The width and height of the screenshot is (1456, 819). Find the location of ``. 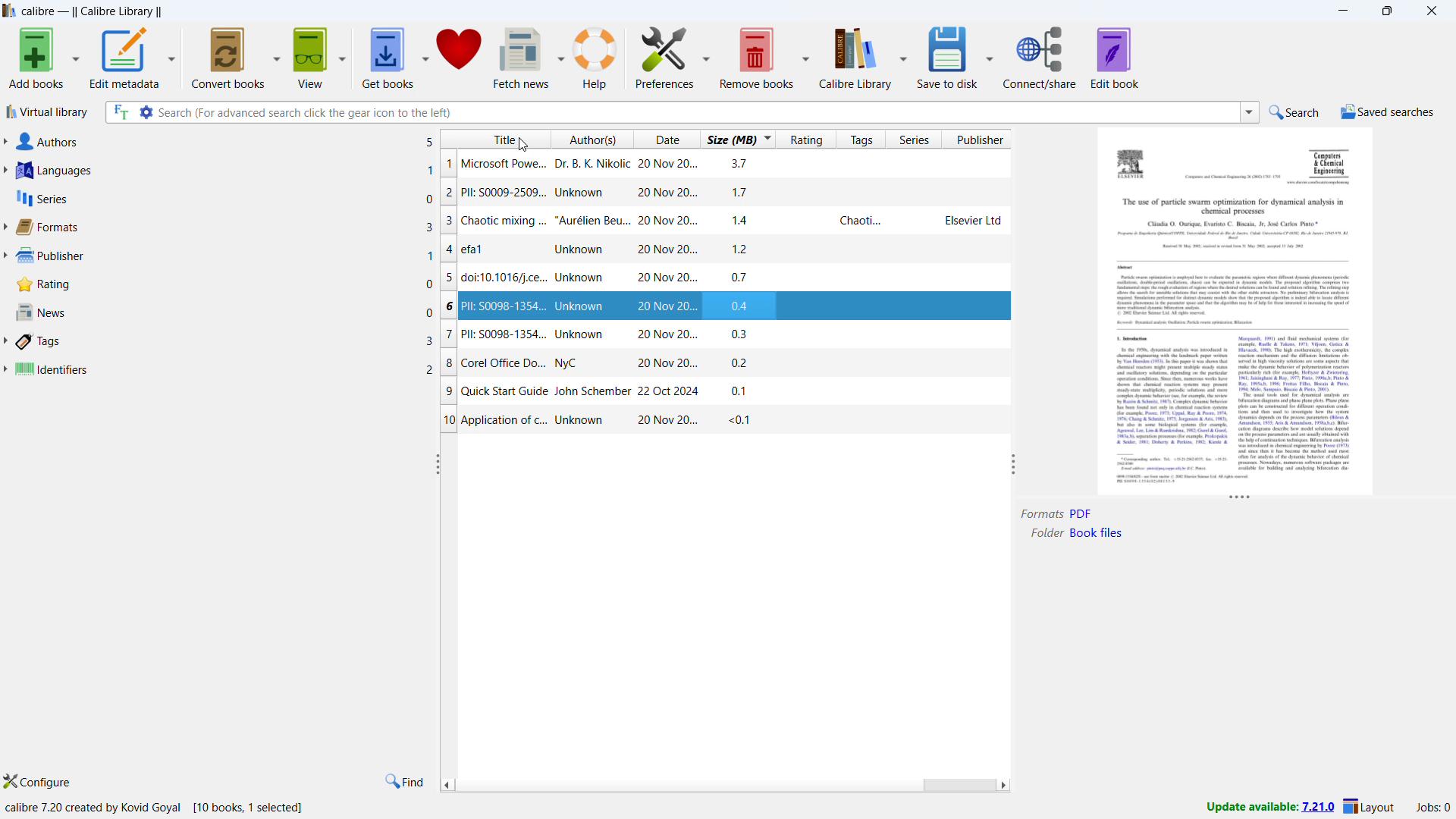

 is located at coordinates (1131, 269).